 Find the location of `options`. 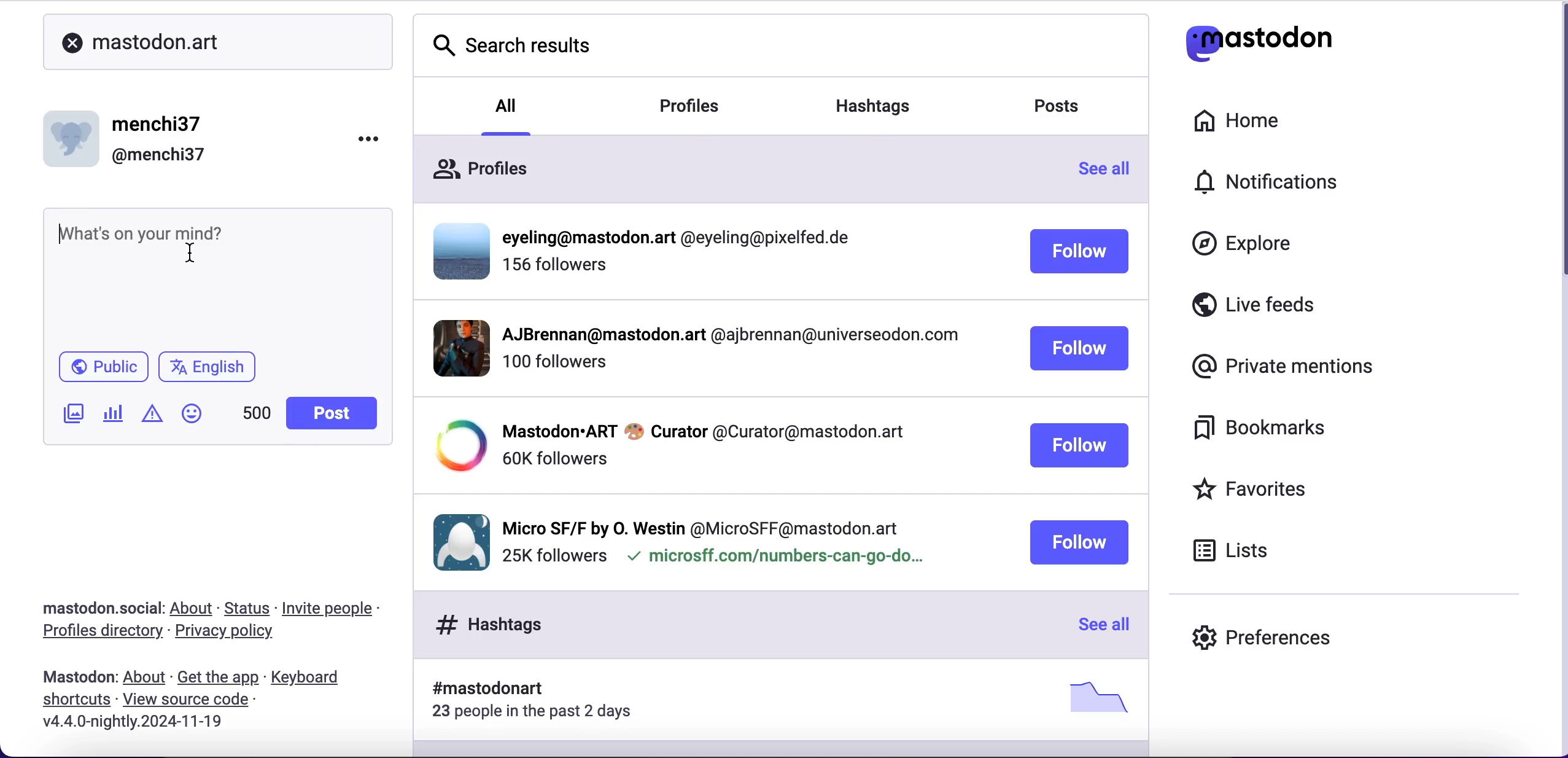

options is located at coordinates (368, 139).